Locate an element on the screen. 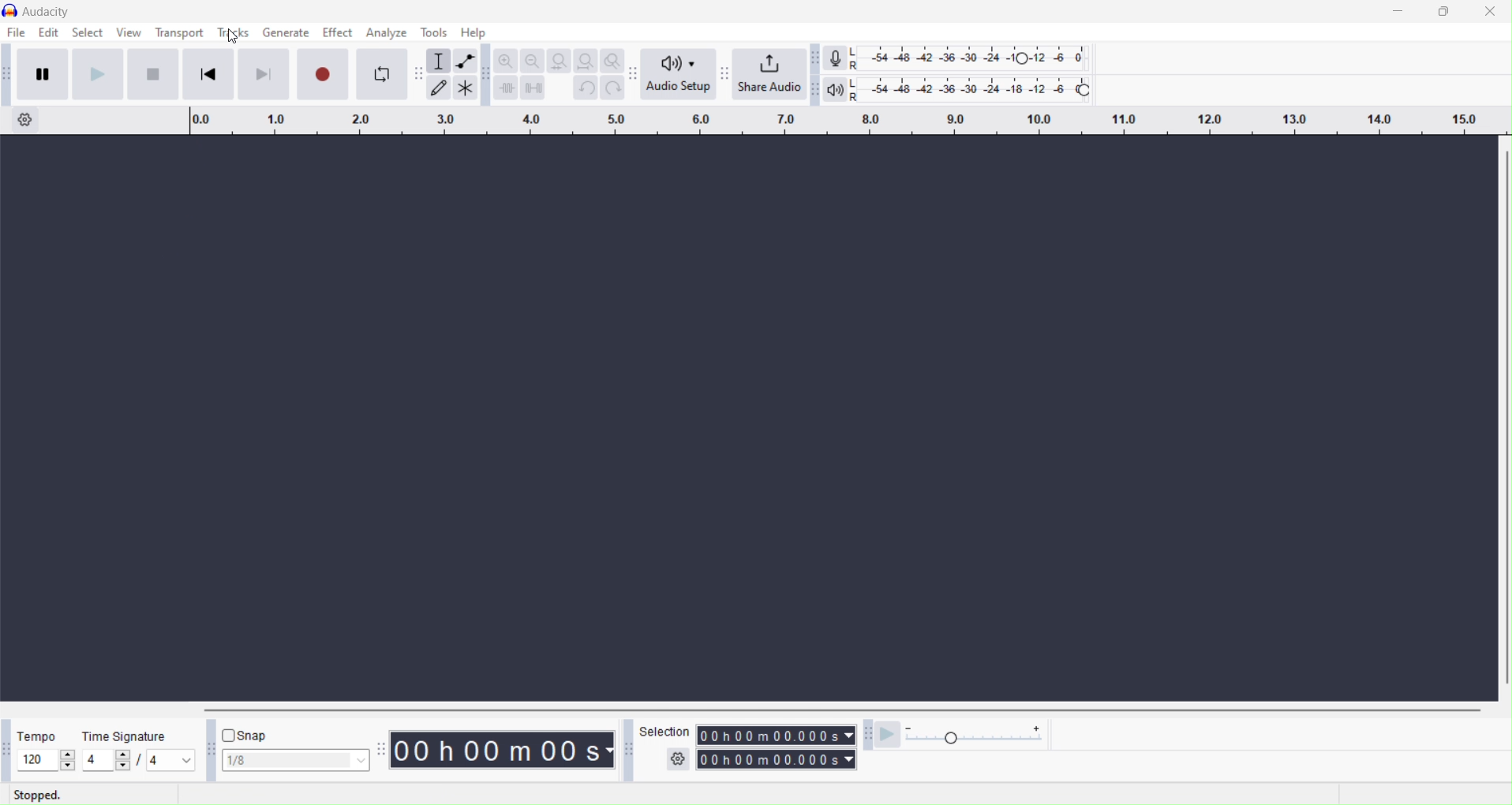 This screenshot has width=1512, height=805. Audio setup is located at coordinates (679, 75).